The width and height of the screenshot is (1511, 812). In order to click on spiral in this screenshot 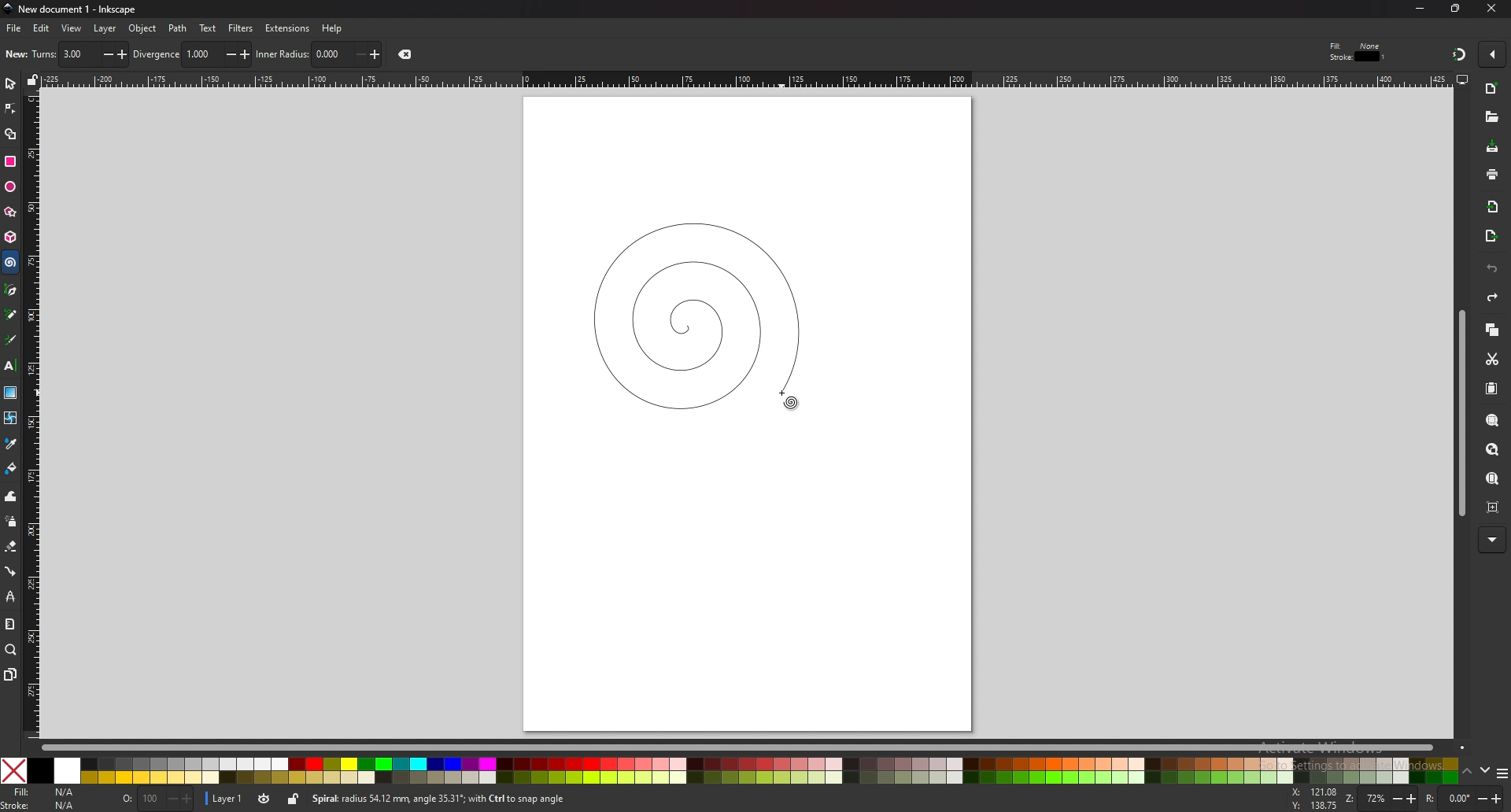, I will do `click(11, 263)`.